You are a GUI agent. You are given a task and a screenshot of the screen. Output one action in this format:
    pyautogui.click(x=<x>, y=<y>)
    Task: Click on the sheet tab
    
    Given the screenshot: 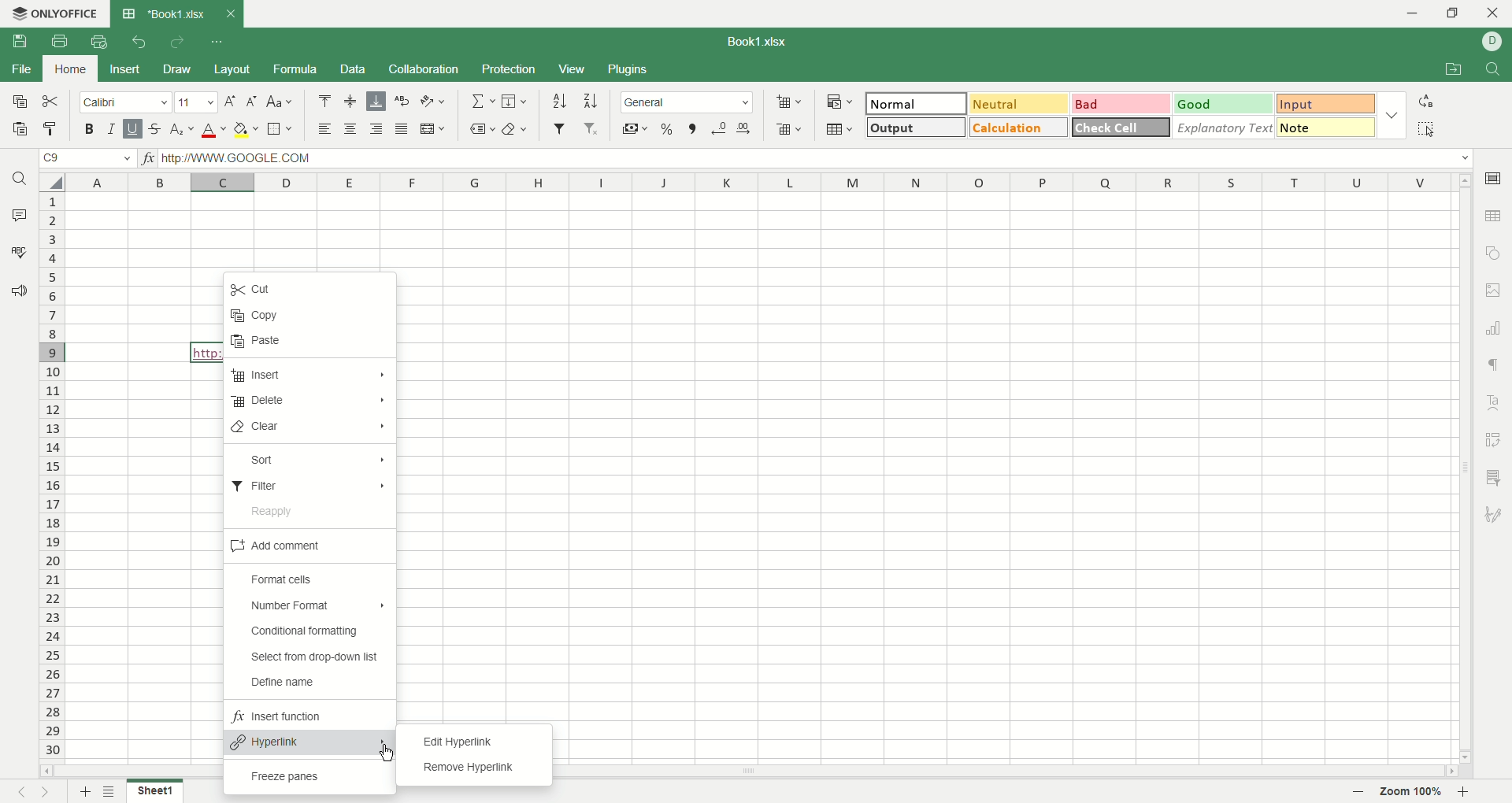 What is the action you would take?
    pyautogui.click(x=161, y=13)
    